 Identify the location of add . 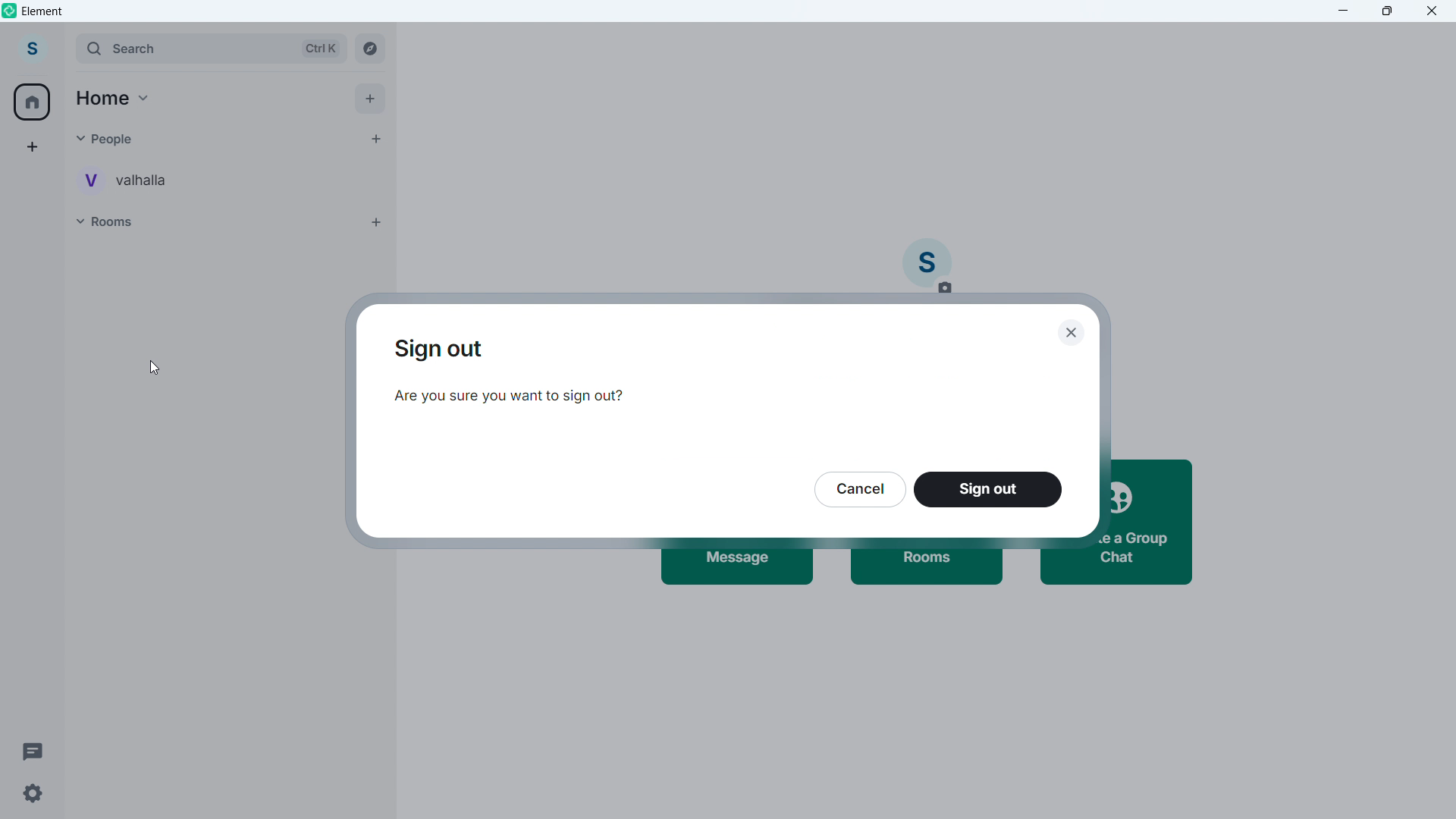
(371, 99).